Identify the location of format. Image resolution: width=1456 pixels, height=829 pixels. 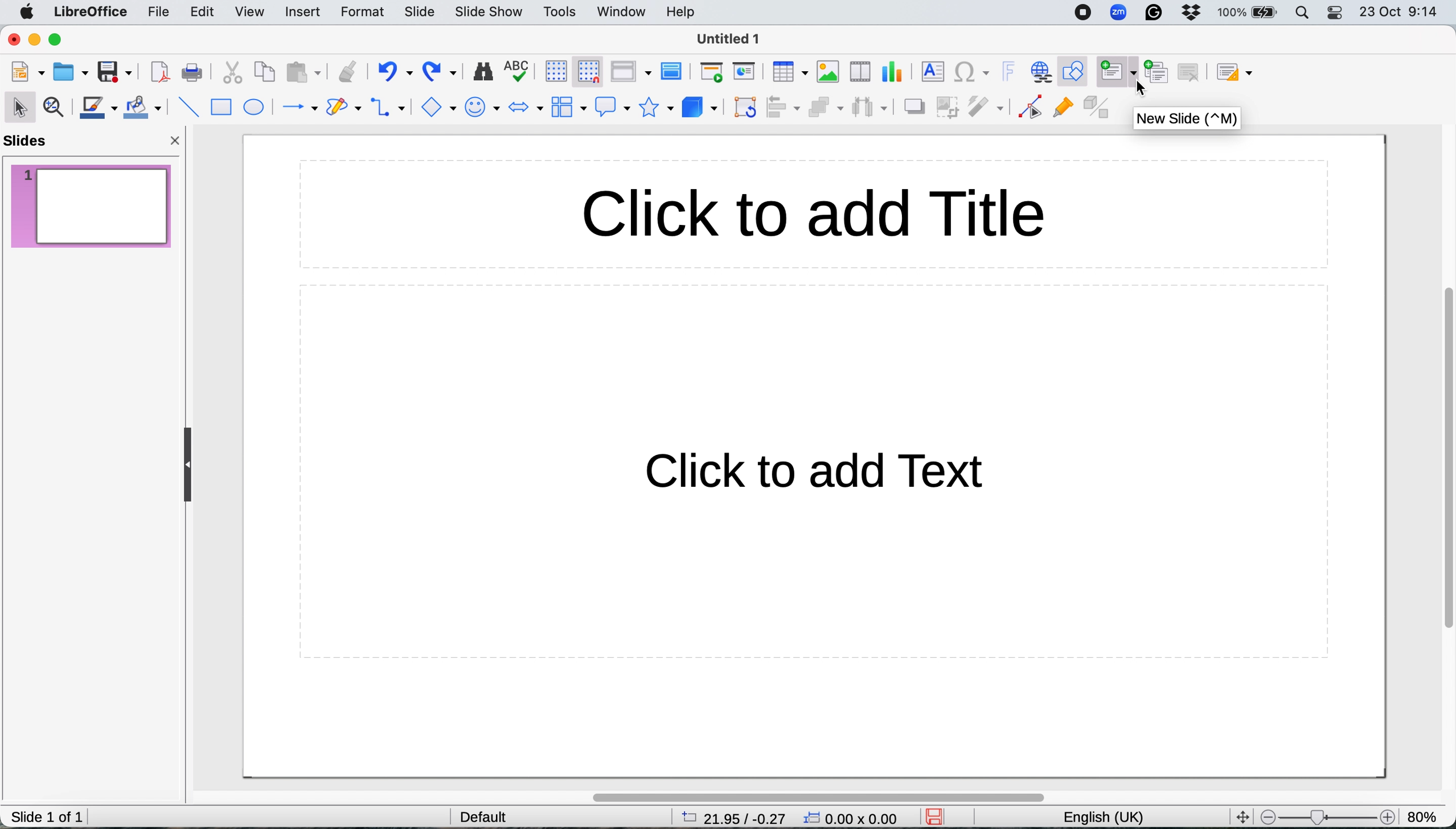
(362, 13).